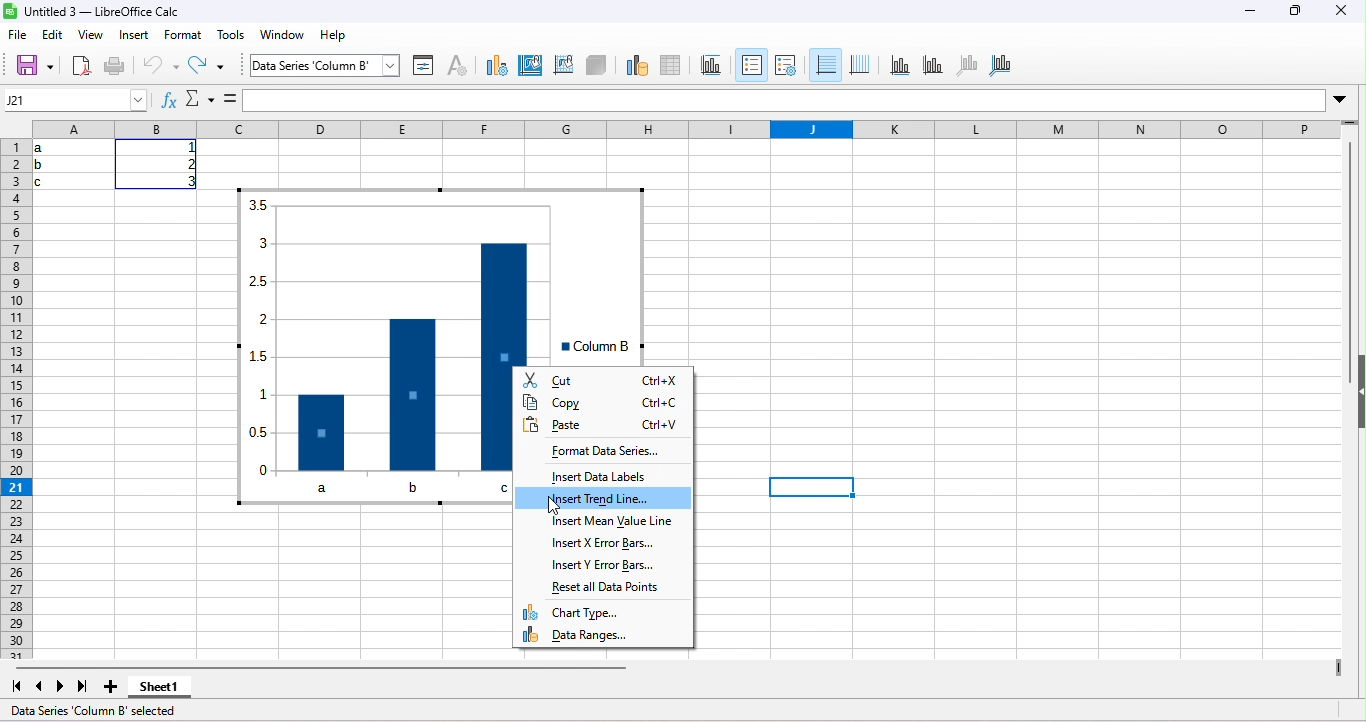 The image size is (1366, 722). What do you see at coordinates (1345, 14) in the screenshot?
I see `close` at bounding box center [1345, 14].